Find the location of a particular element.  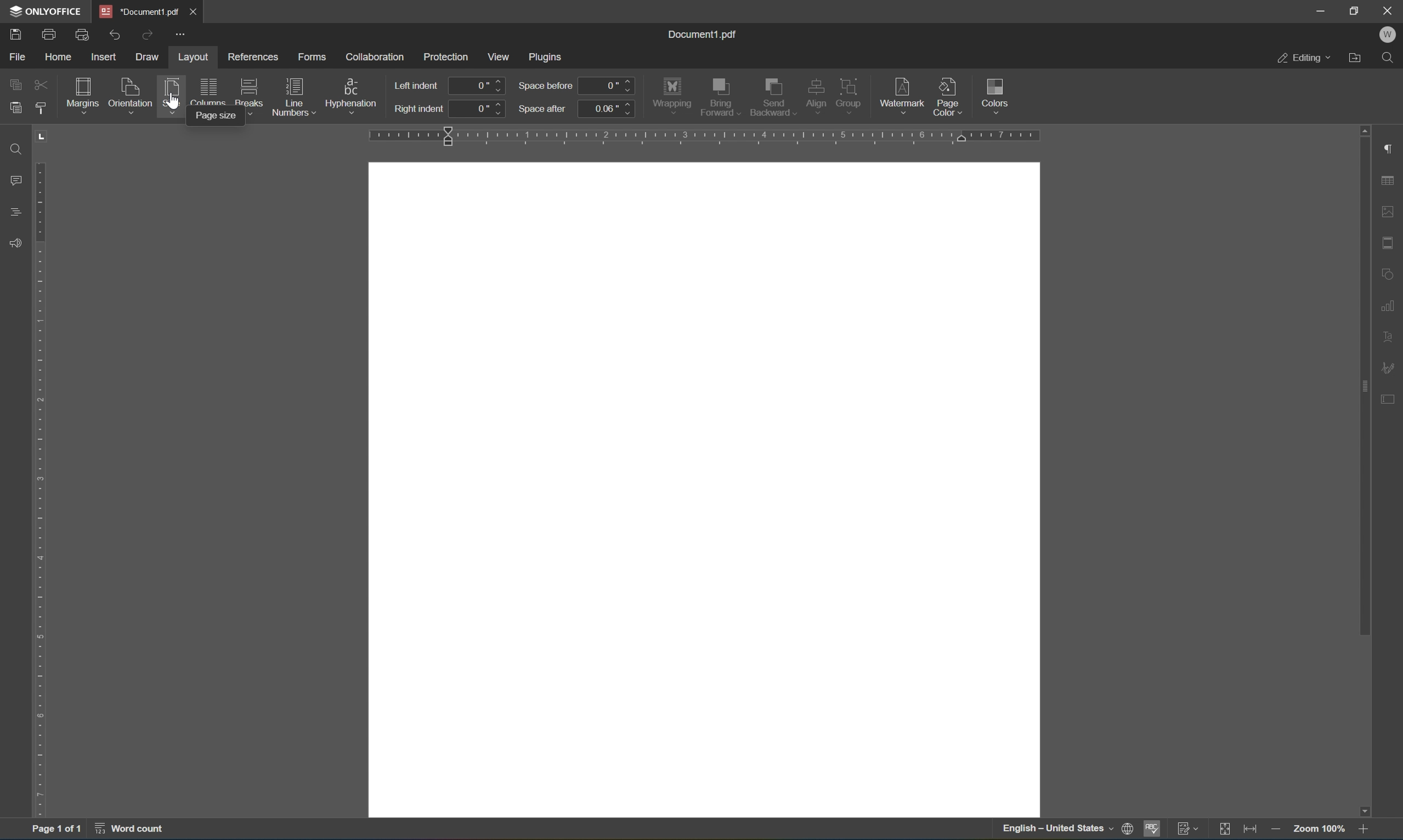

image settings is located at coordinates (1389, 213).